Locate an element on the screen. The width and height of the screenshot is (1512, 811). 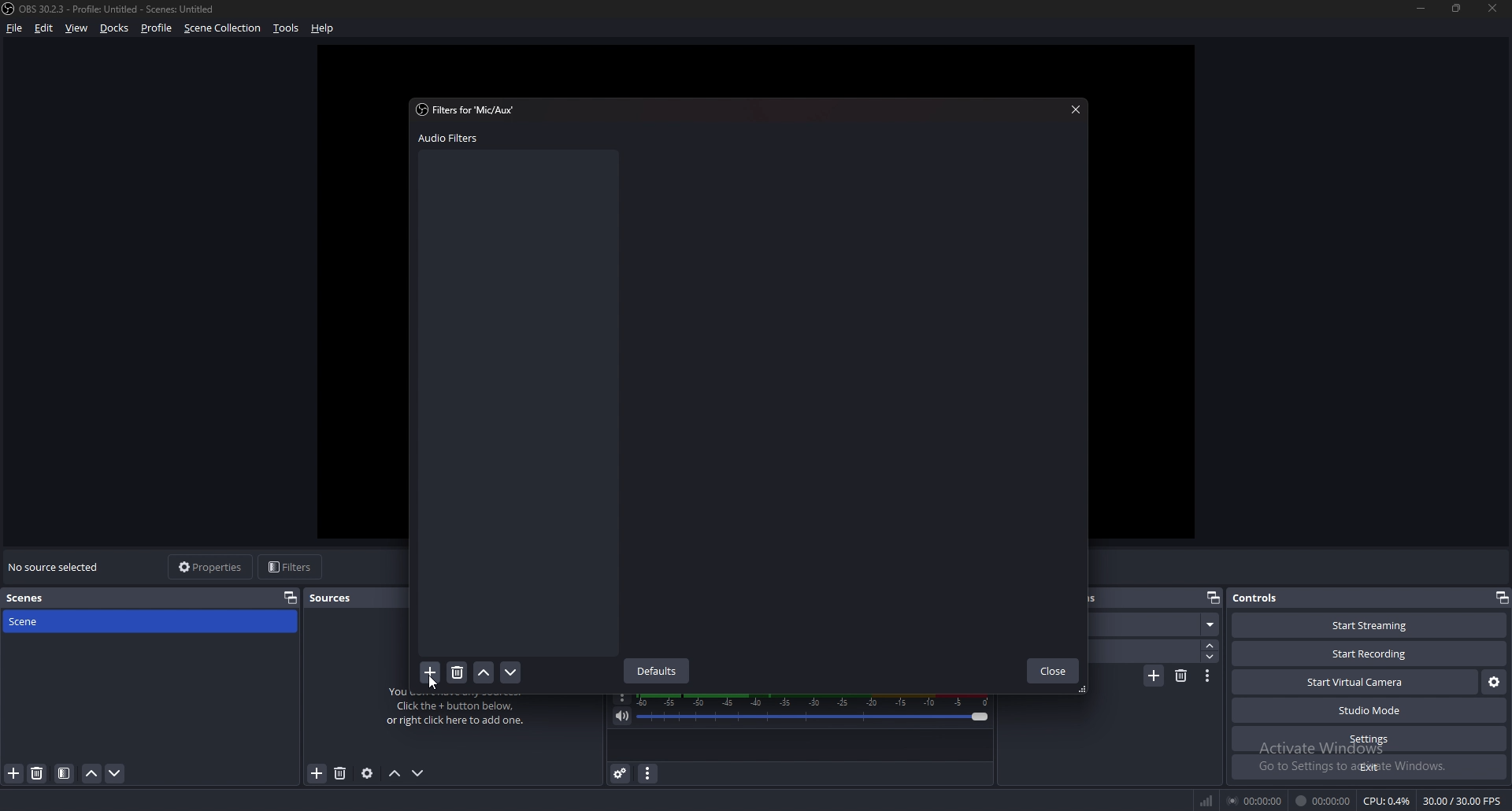
add source is located at coordinates (343, 774).